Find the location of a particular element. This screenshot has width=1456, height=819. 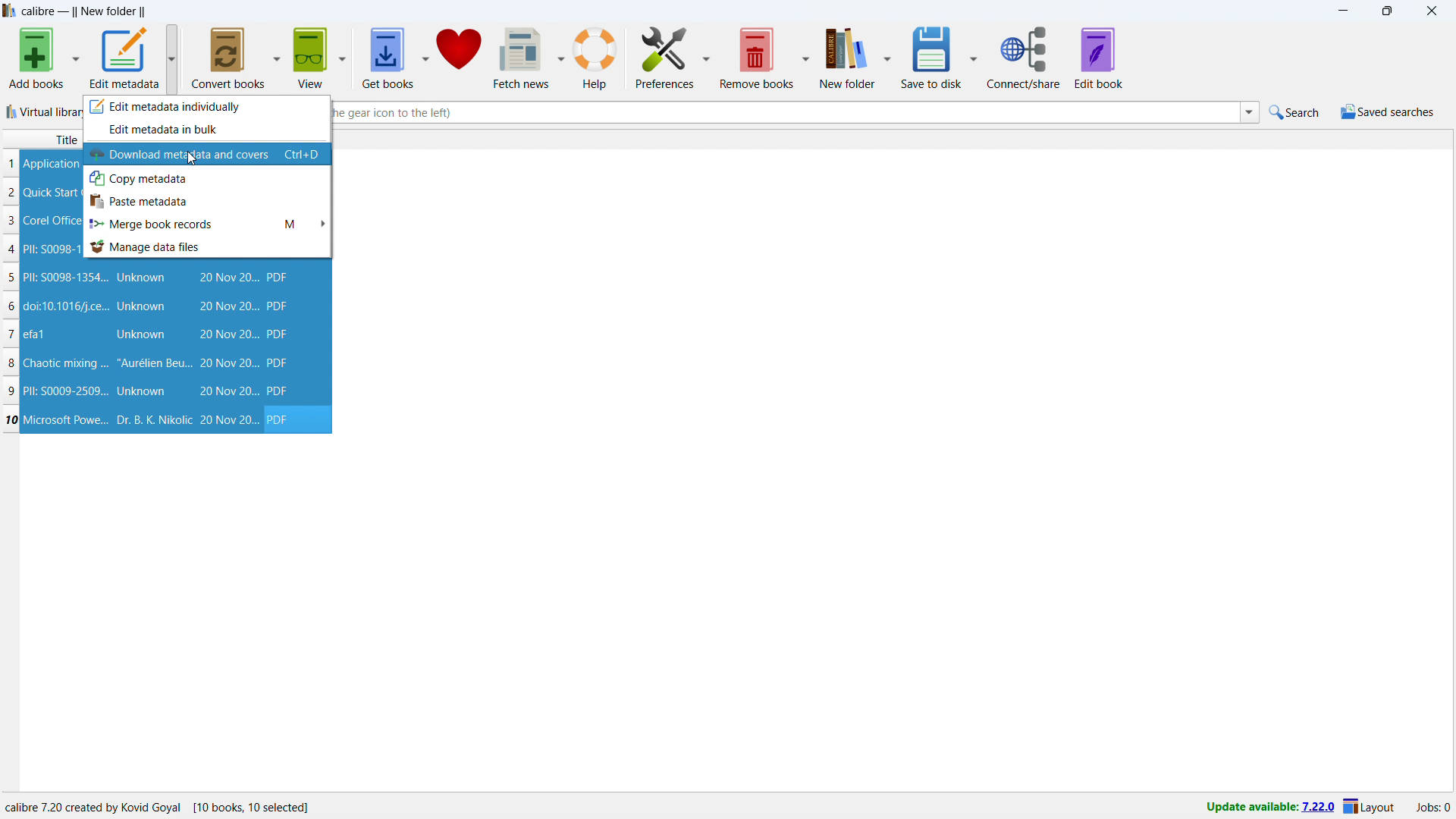

edit book is located at coordinates (1100, 58).